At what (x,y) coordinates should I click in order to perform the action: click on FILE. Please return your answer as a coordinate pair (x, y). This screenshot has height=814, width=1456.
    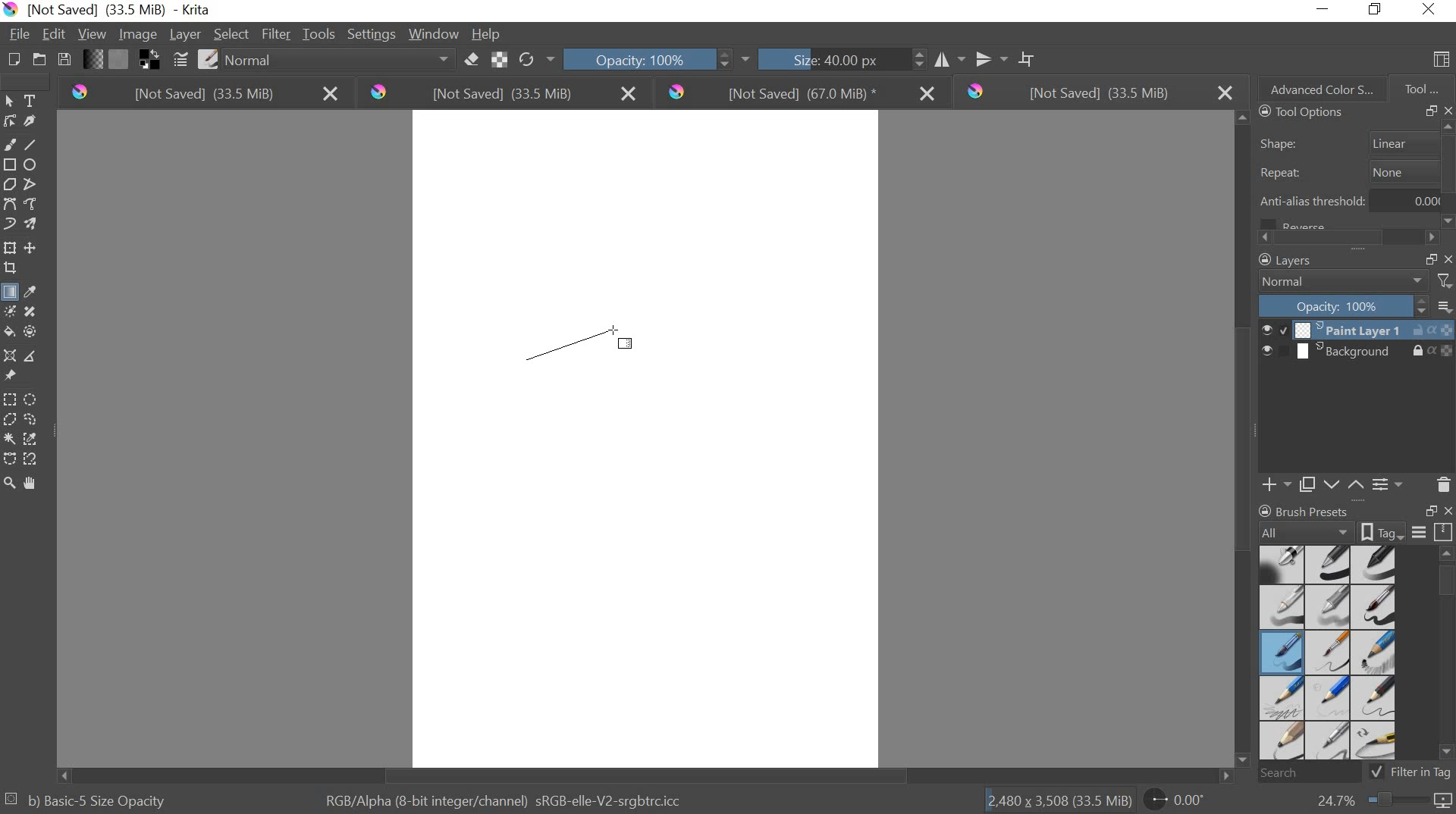
    Looking at the image, I should click on (18, 34).